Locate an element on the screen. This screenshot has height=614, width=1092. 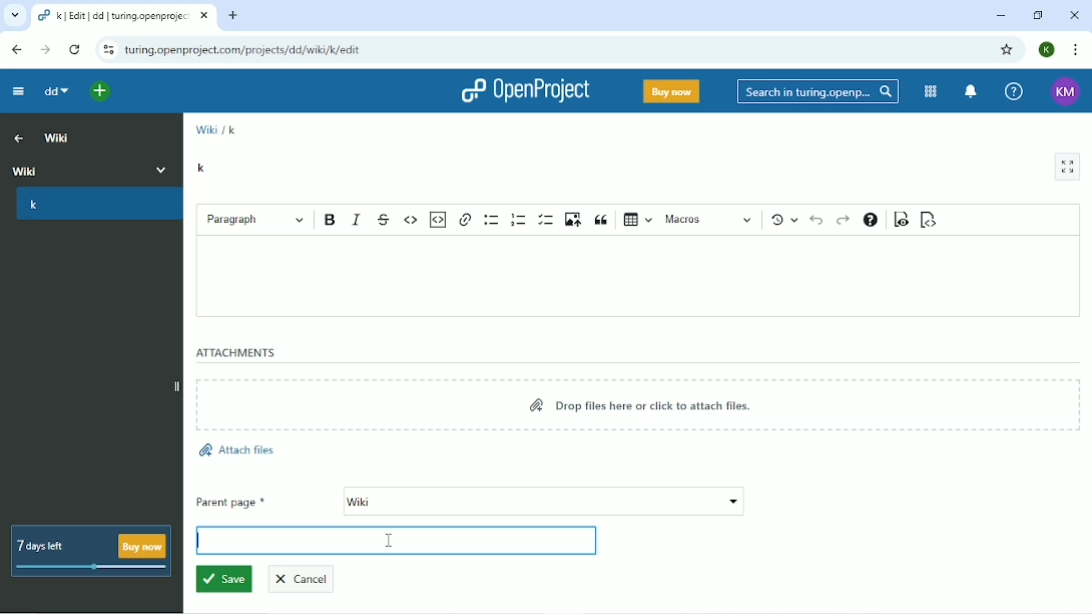
Bold is located at coordinates (330, 219).